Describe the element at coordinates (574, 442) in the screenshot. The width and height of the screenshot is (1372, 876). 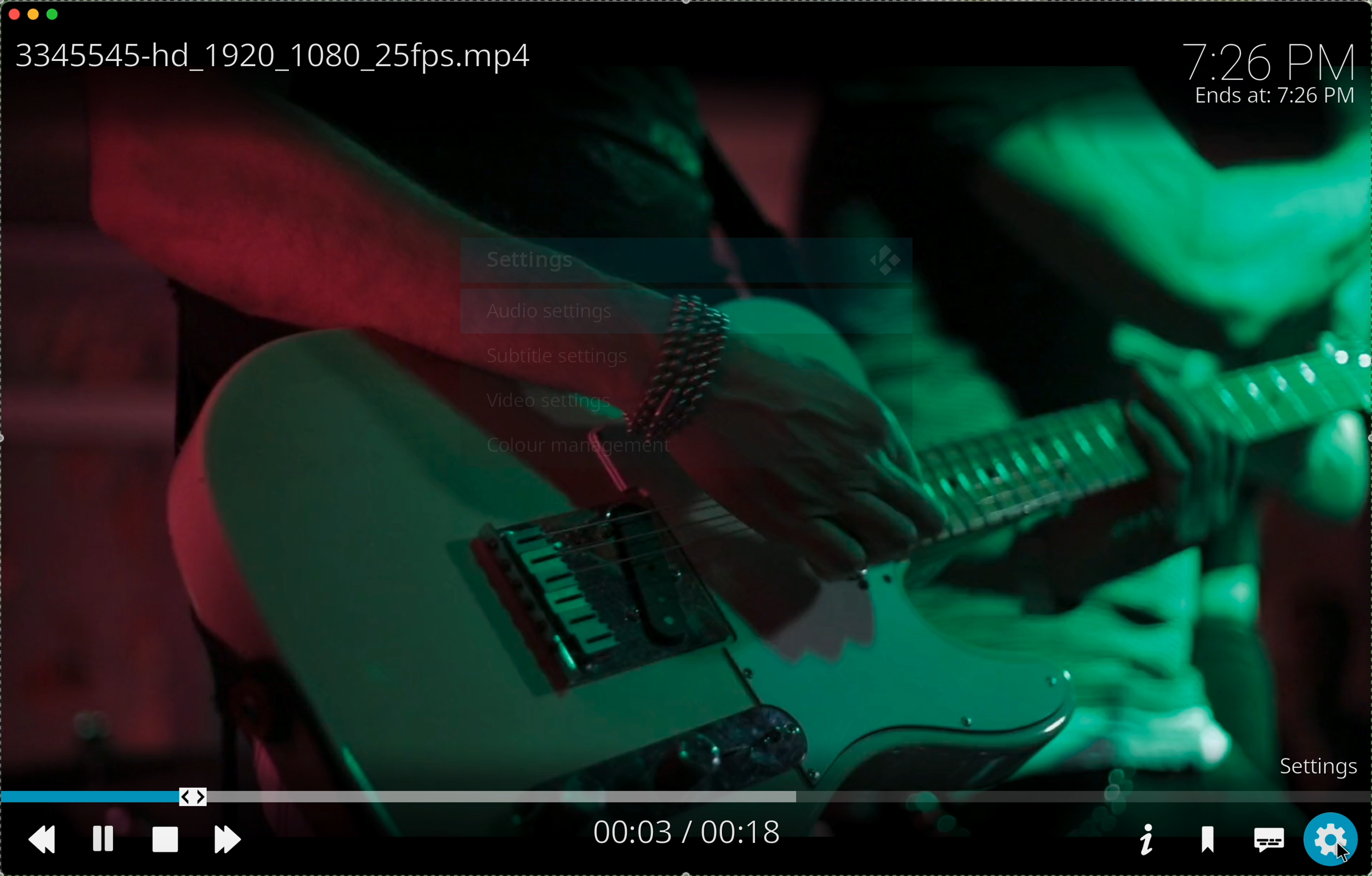
I see `colour management` at that location.